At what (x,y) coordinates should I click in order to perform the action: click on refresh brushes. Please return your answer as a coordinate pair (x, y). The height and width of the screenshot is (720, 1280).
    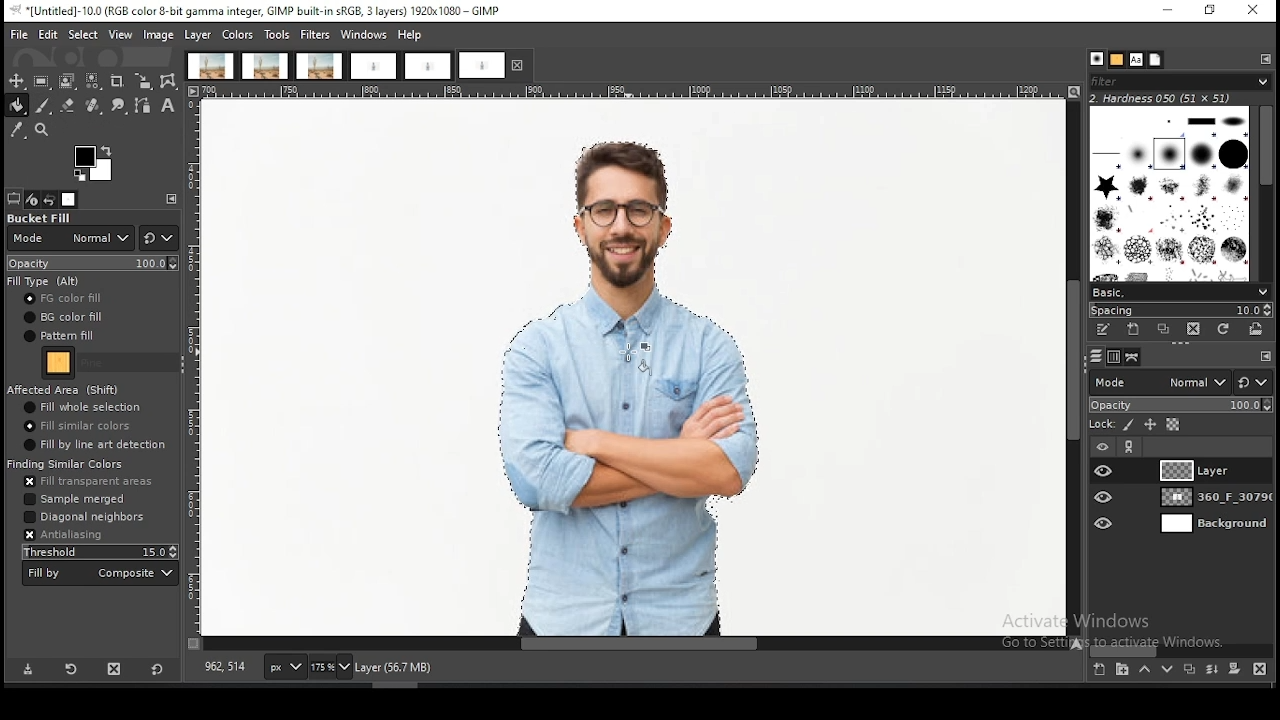
    Looking at the image, I should click on (1221, 330).